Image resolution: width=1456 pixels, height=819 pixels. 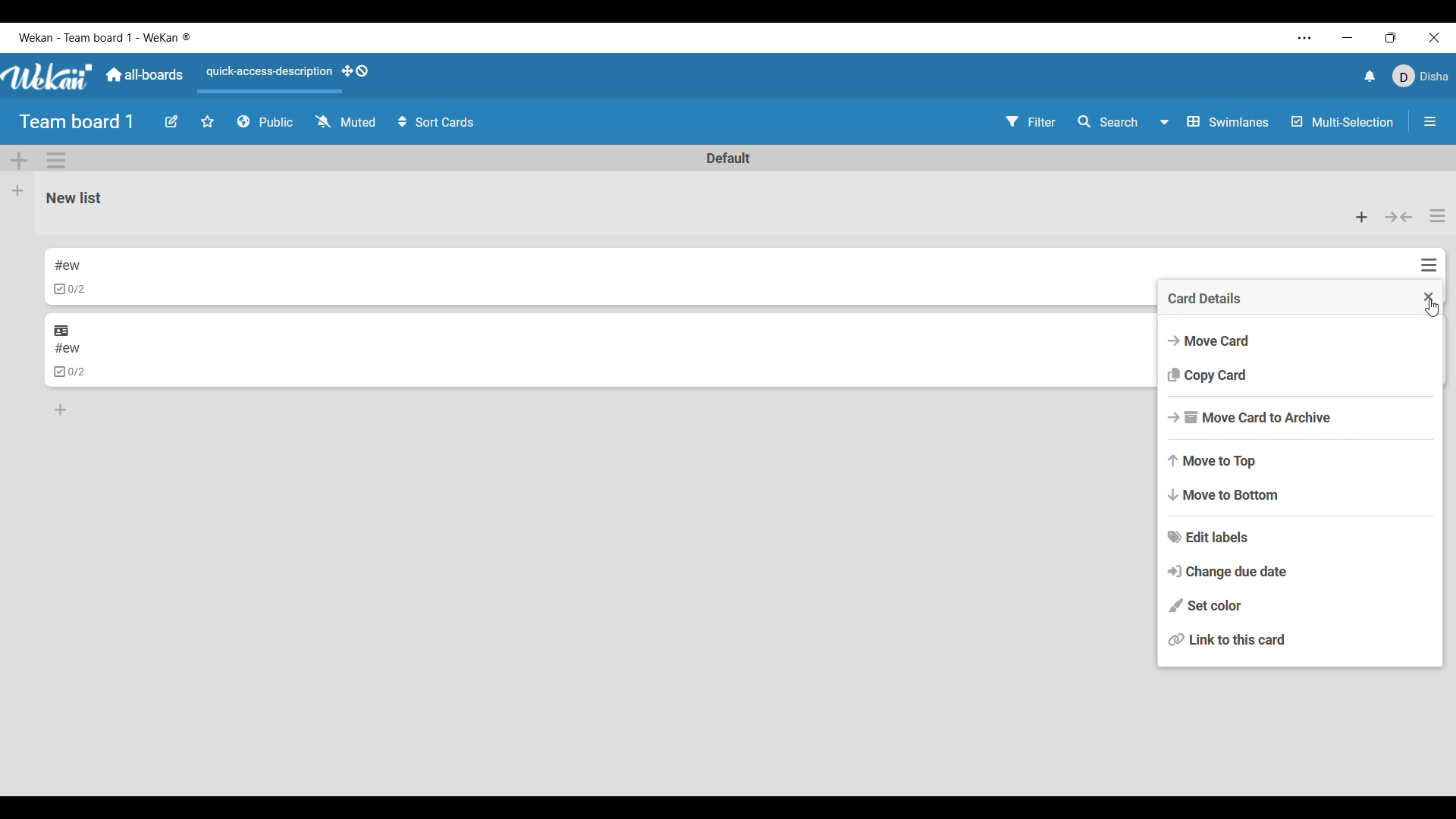 I want to click on List name, so click(x=74, y=199).